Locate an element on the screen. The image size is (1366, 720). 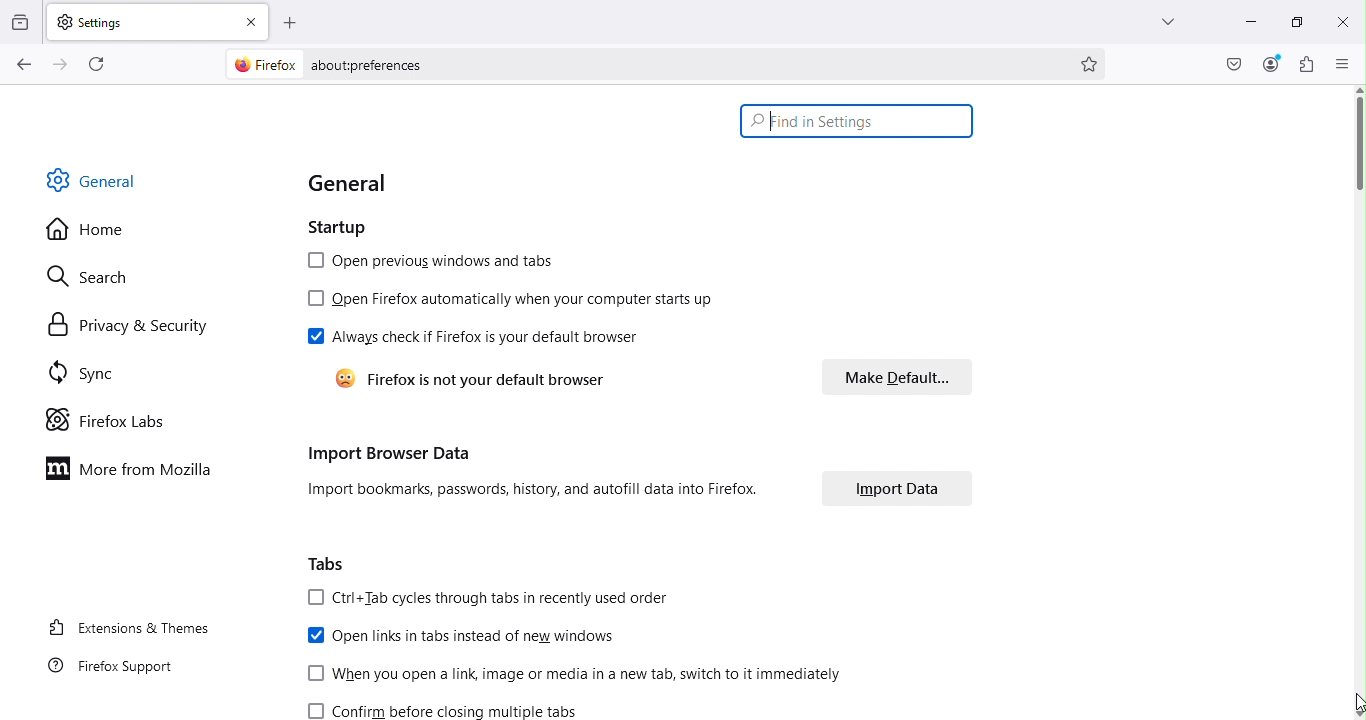
Confirm before closing multiple tabs is located at coordinates (448, 710).